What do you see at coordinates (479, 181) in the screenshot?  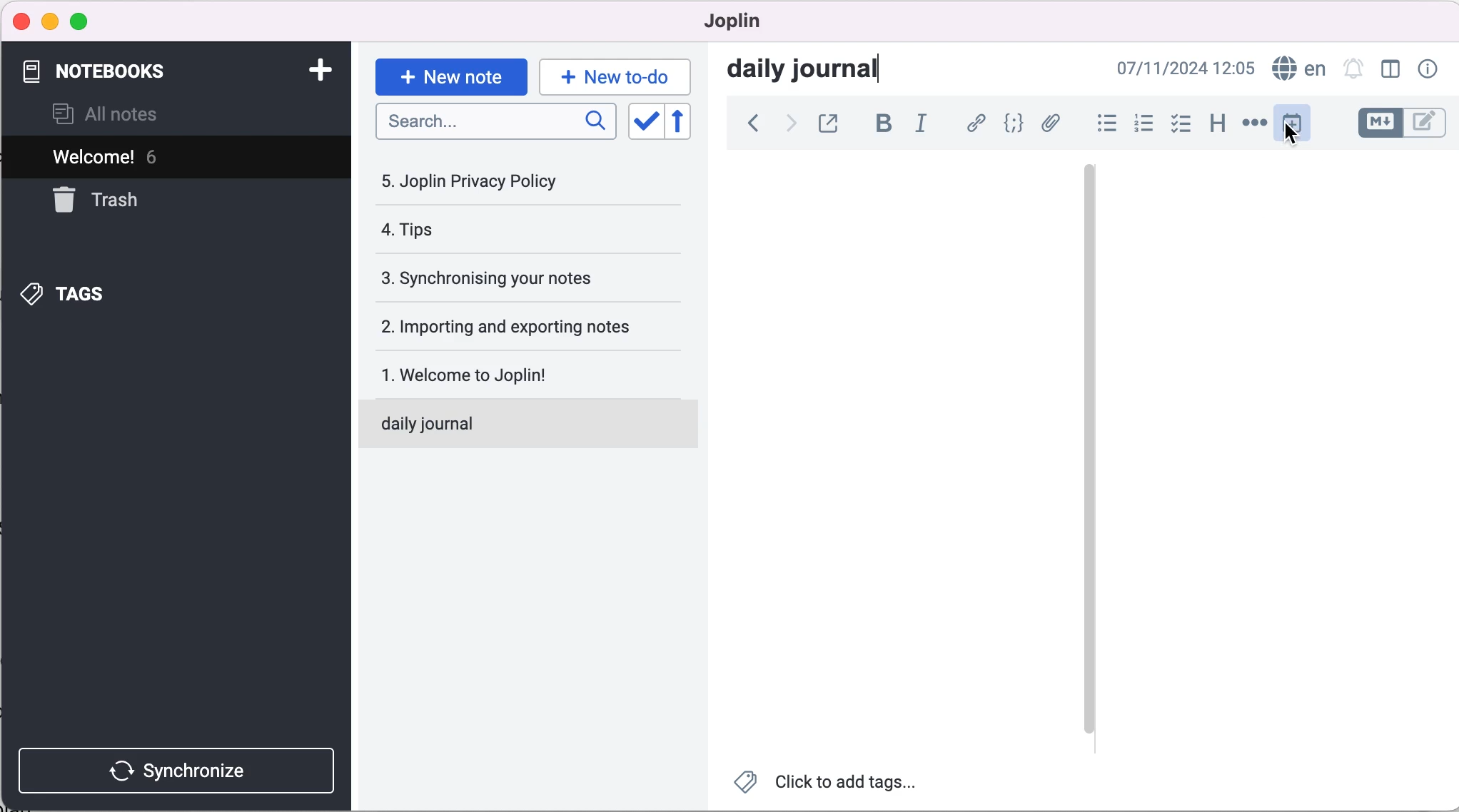 I see `joplin privacy policy` at bounding box center [479, 181].